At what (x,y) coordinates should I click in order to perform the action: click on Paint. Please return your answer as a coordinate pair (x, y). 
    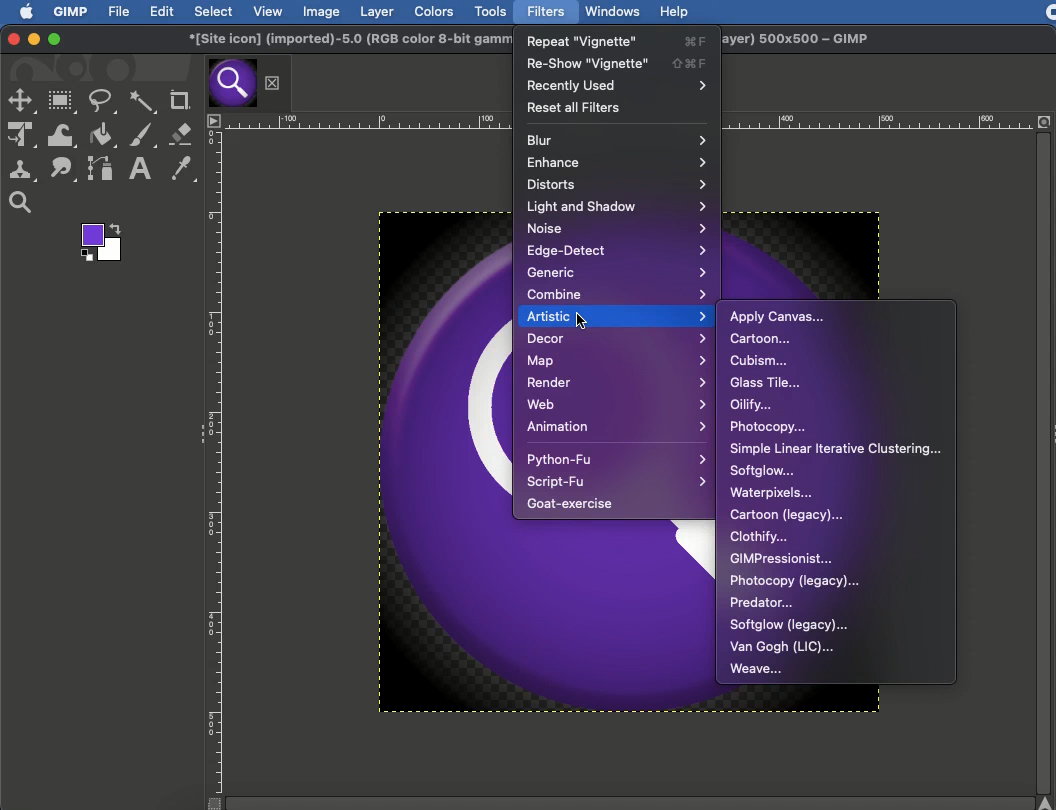
    Looking at the image, I should click on (144, 135).